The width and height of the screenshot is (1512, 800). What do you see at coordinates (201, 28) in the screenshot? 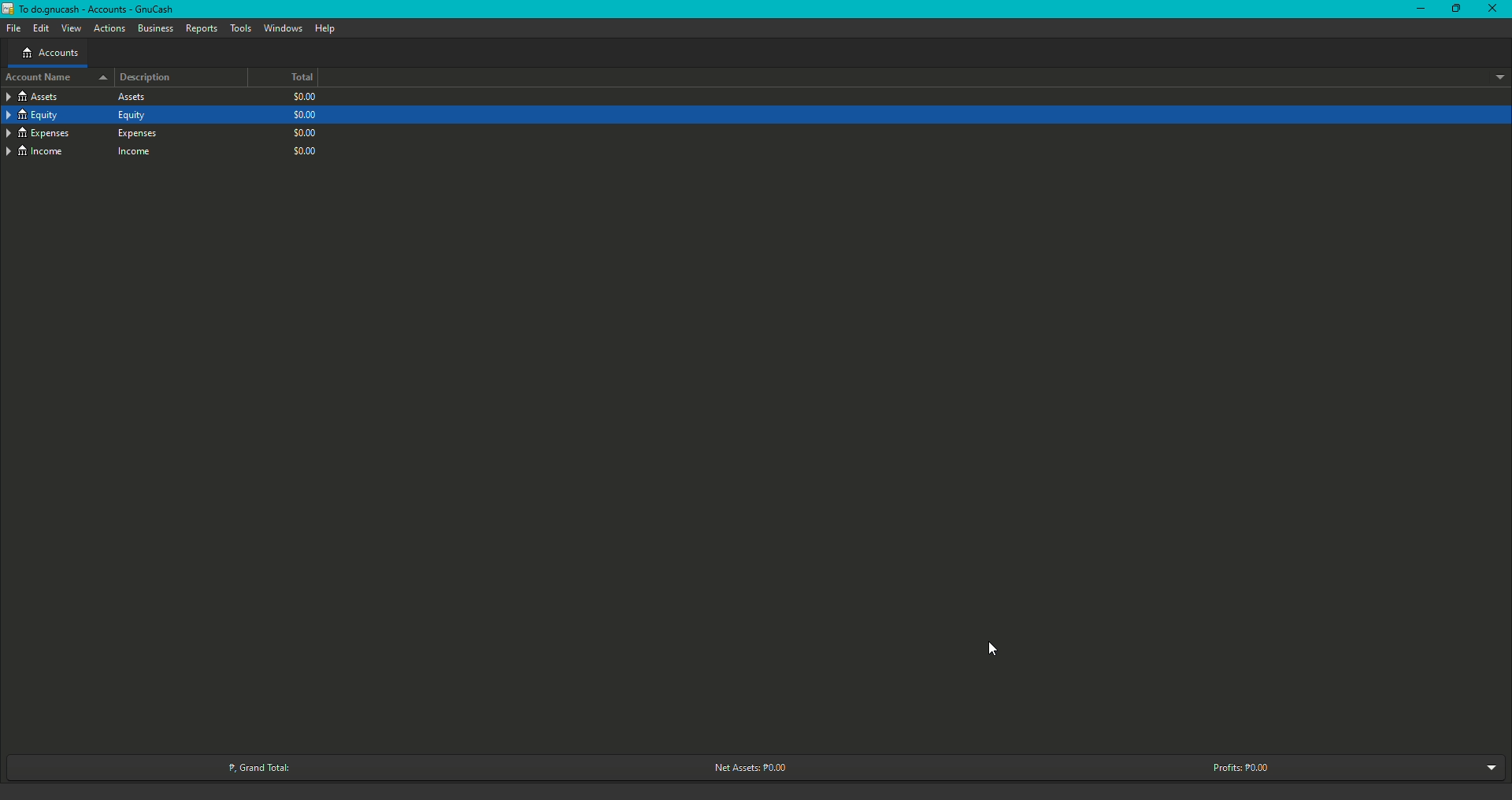
I see `Reports` at bounding box center [201, 28].